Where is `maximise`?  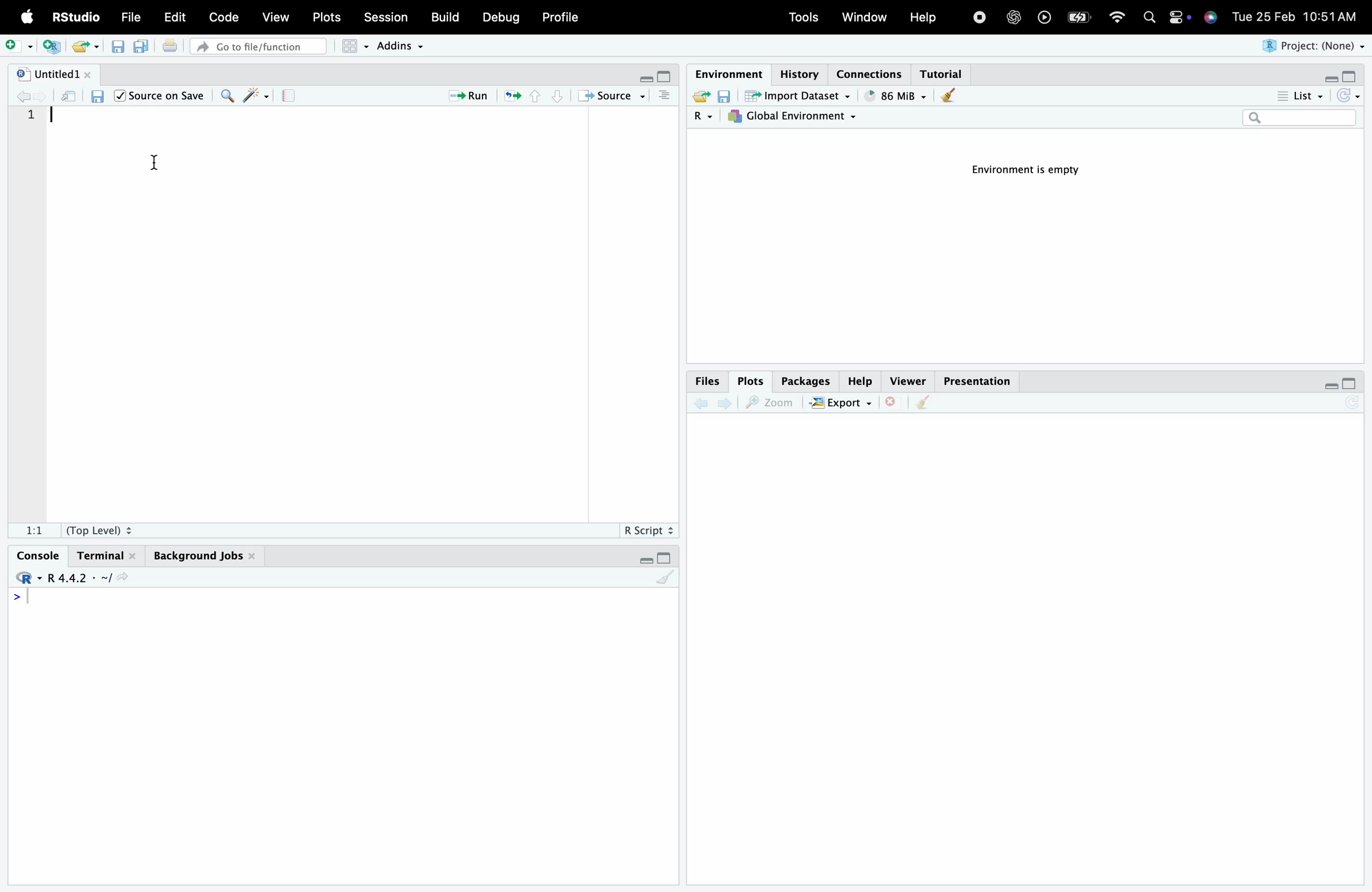
maximise is located at coordinates (668, 556).